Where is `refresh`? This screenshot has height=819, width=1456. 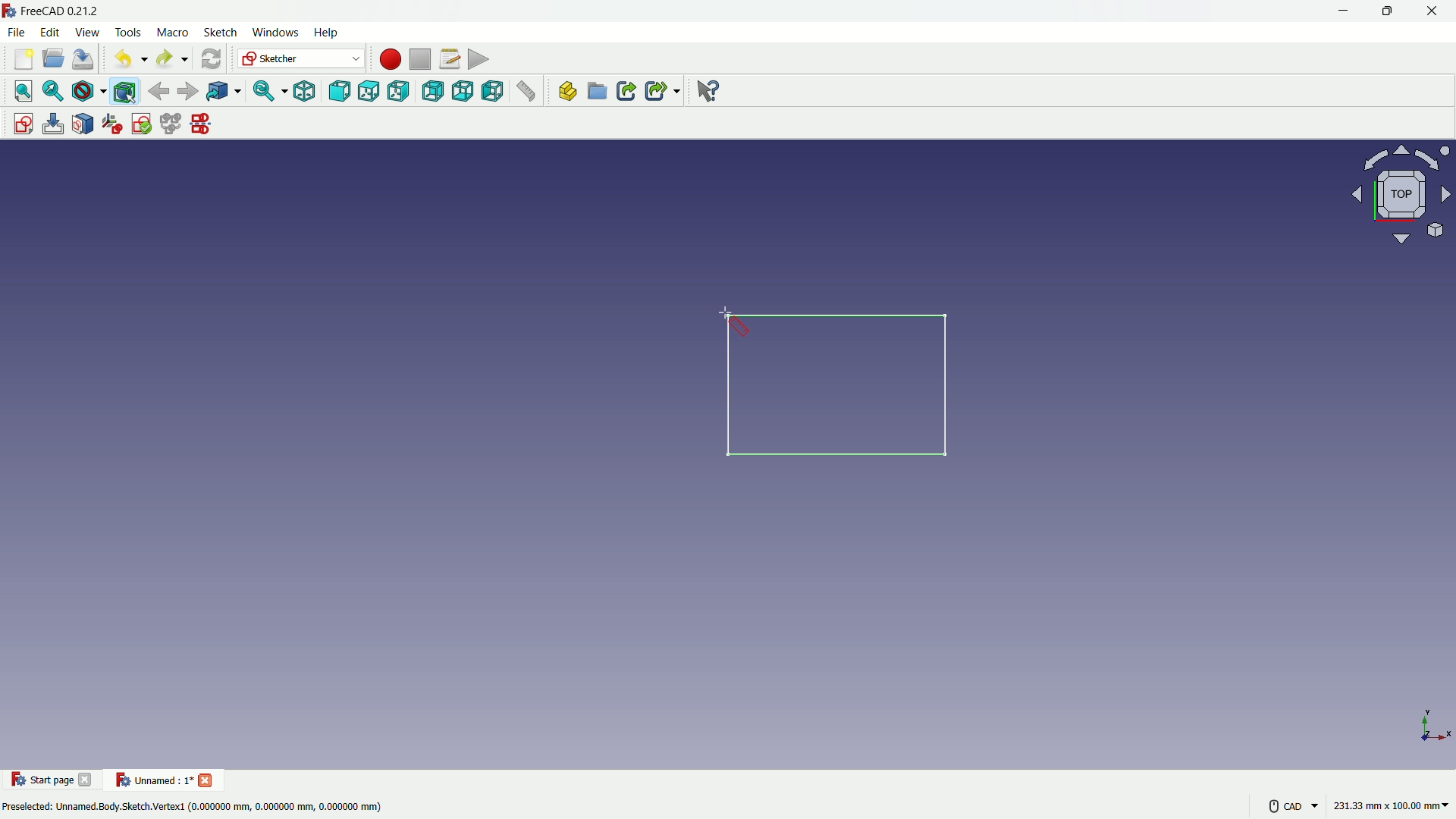
refresh is located at coordinates (209, 59).